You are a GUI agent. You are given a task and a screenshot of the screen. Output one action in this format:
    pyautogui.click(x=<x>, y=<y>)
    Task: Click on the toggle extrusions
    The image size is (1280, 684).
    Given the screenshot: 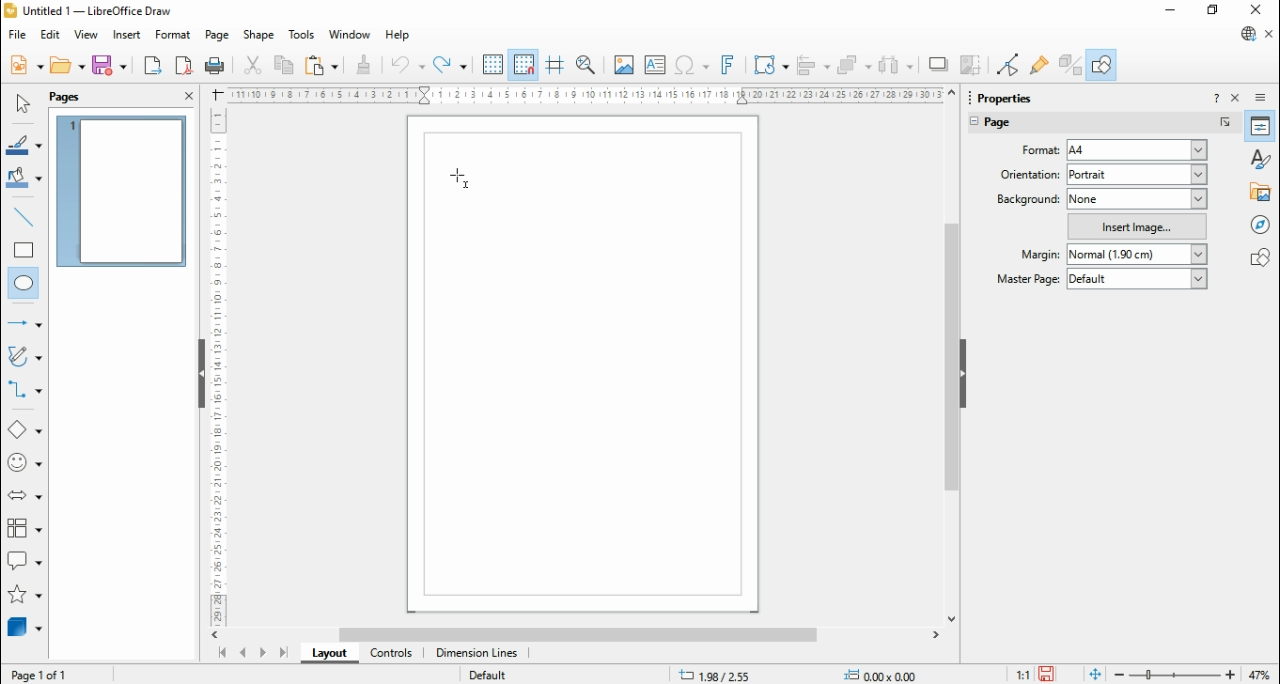 What is the action you would take?
    pyautogui.click(x=1070, y=64)
    